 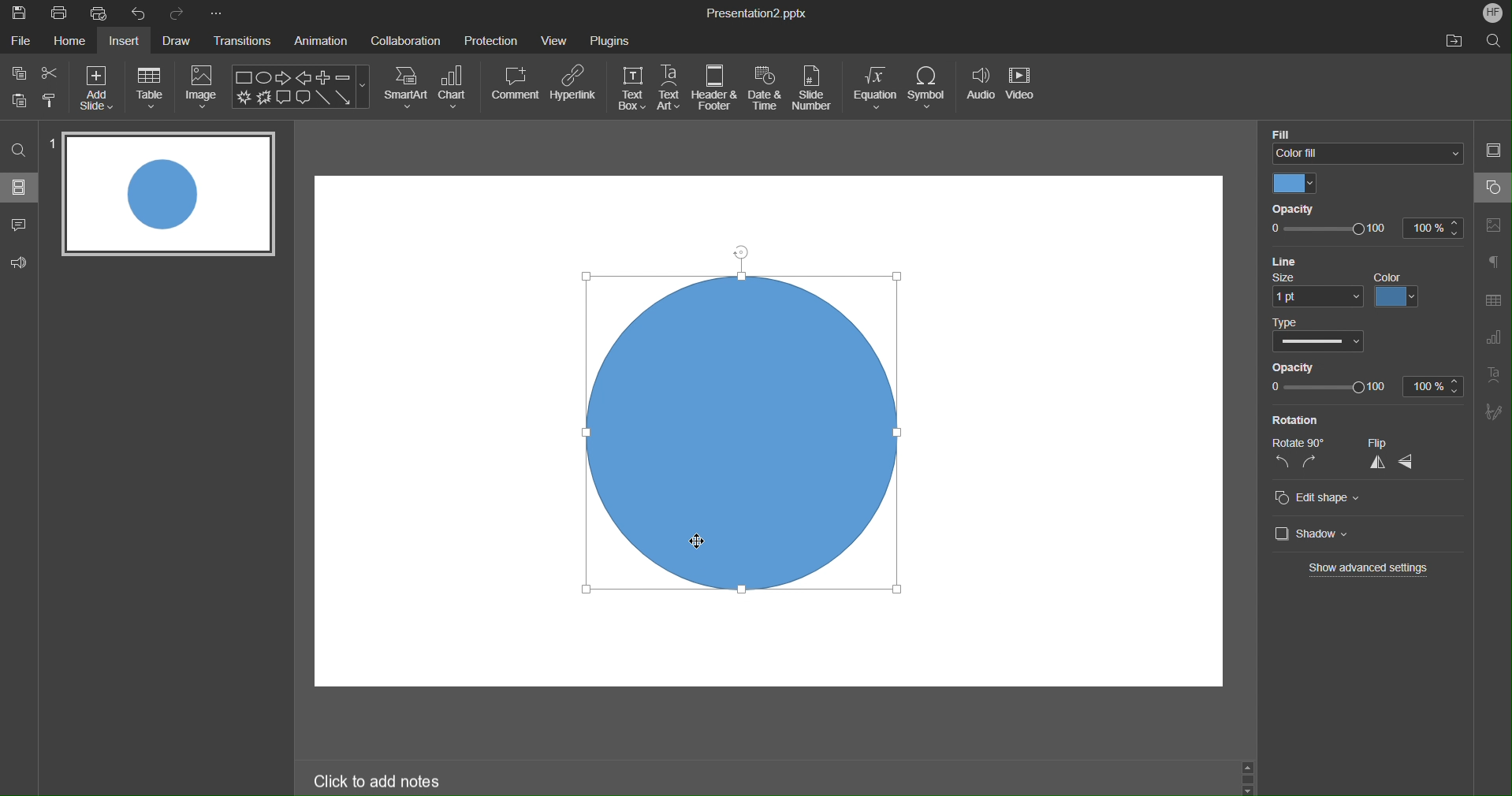 What do you see at coordinates (381, 782) in the screenshot?
I see `Click to add notes` at bounding box center [381, 782].